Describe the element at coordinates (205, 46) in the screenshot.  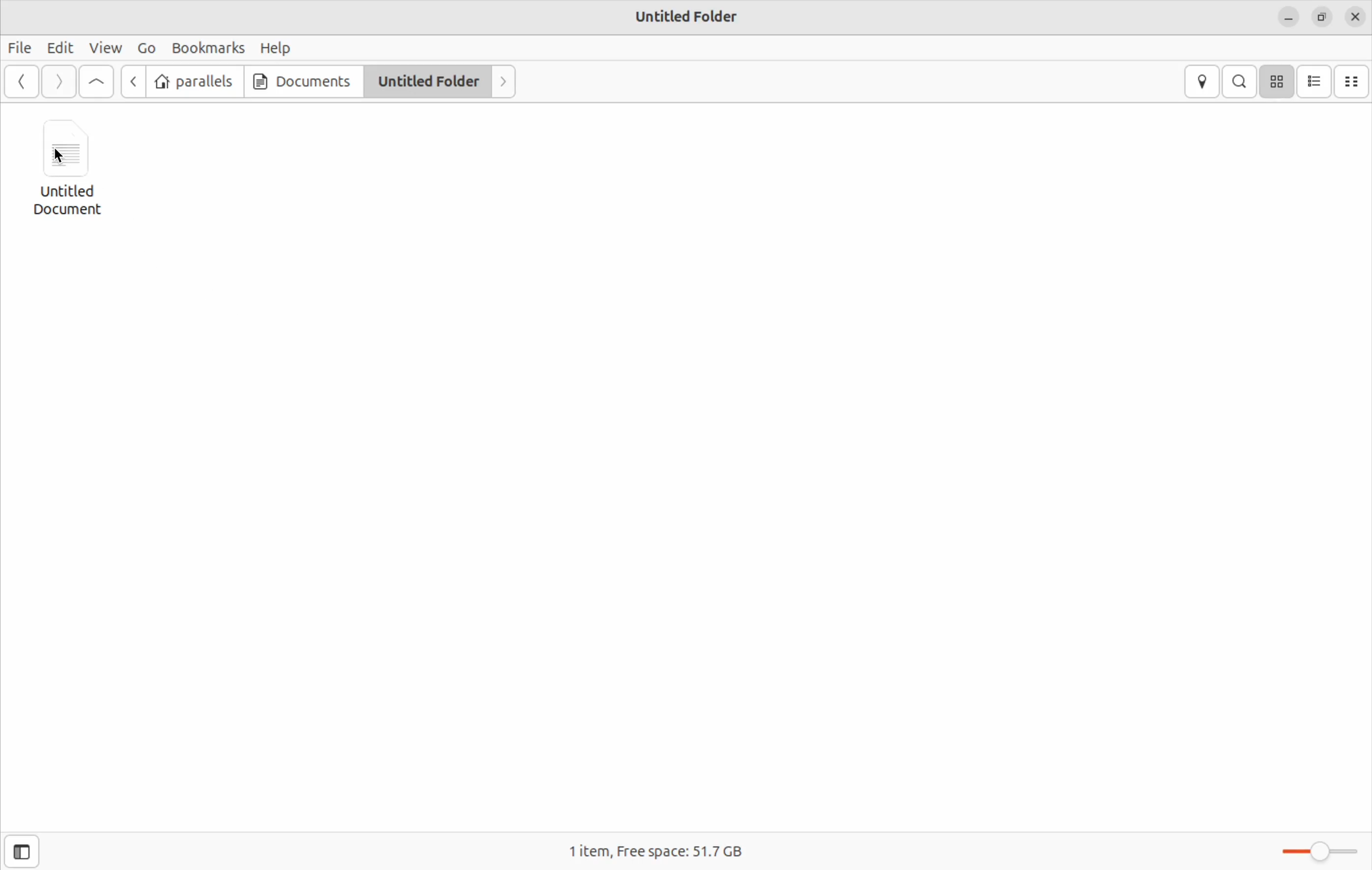
I see `Bookmarks` at that location.